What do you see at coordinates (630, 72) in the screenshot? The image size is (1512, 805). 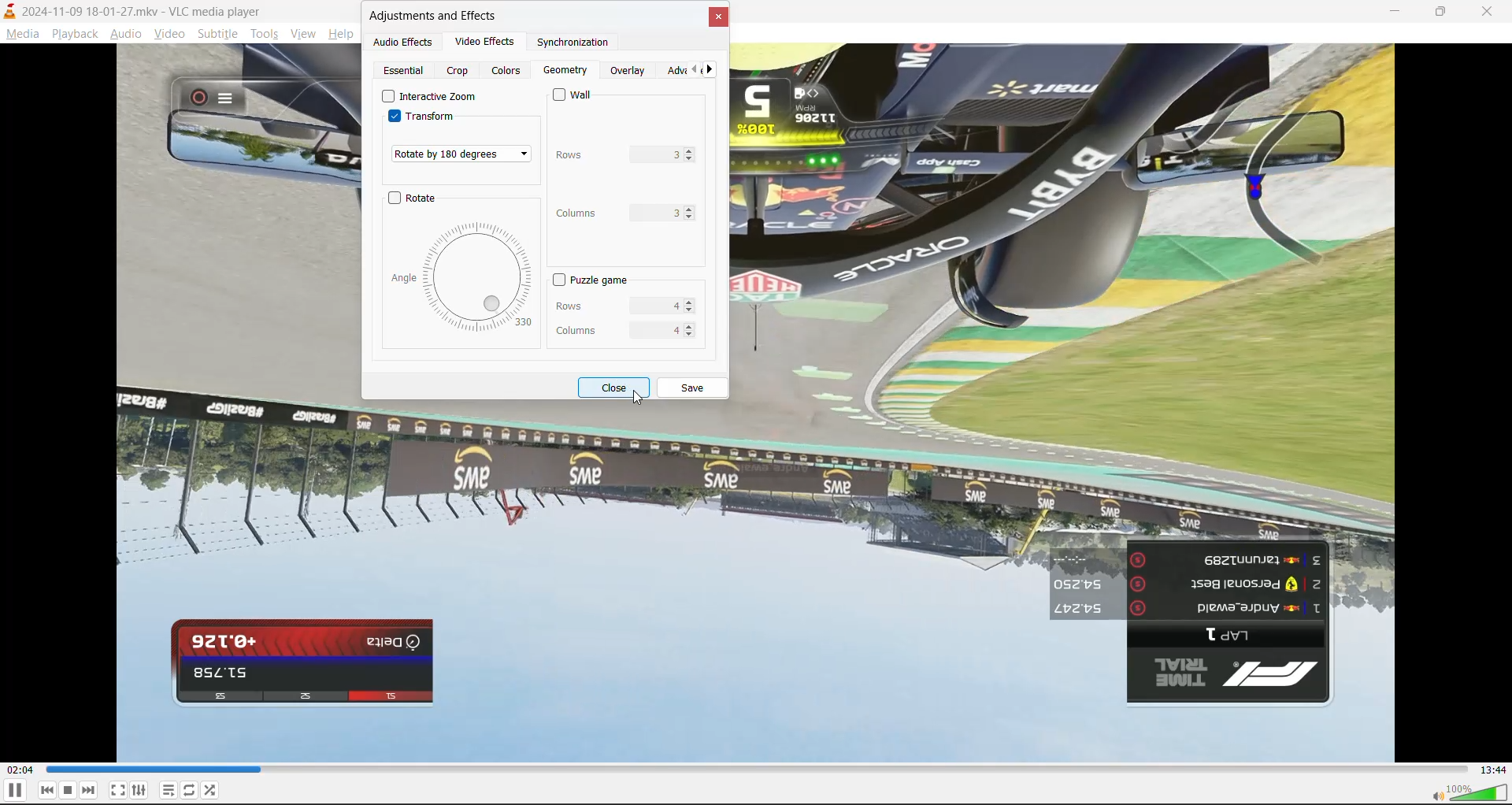 I see `overlay` at bounding box center [630, 72].